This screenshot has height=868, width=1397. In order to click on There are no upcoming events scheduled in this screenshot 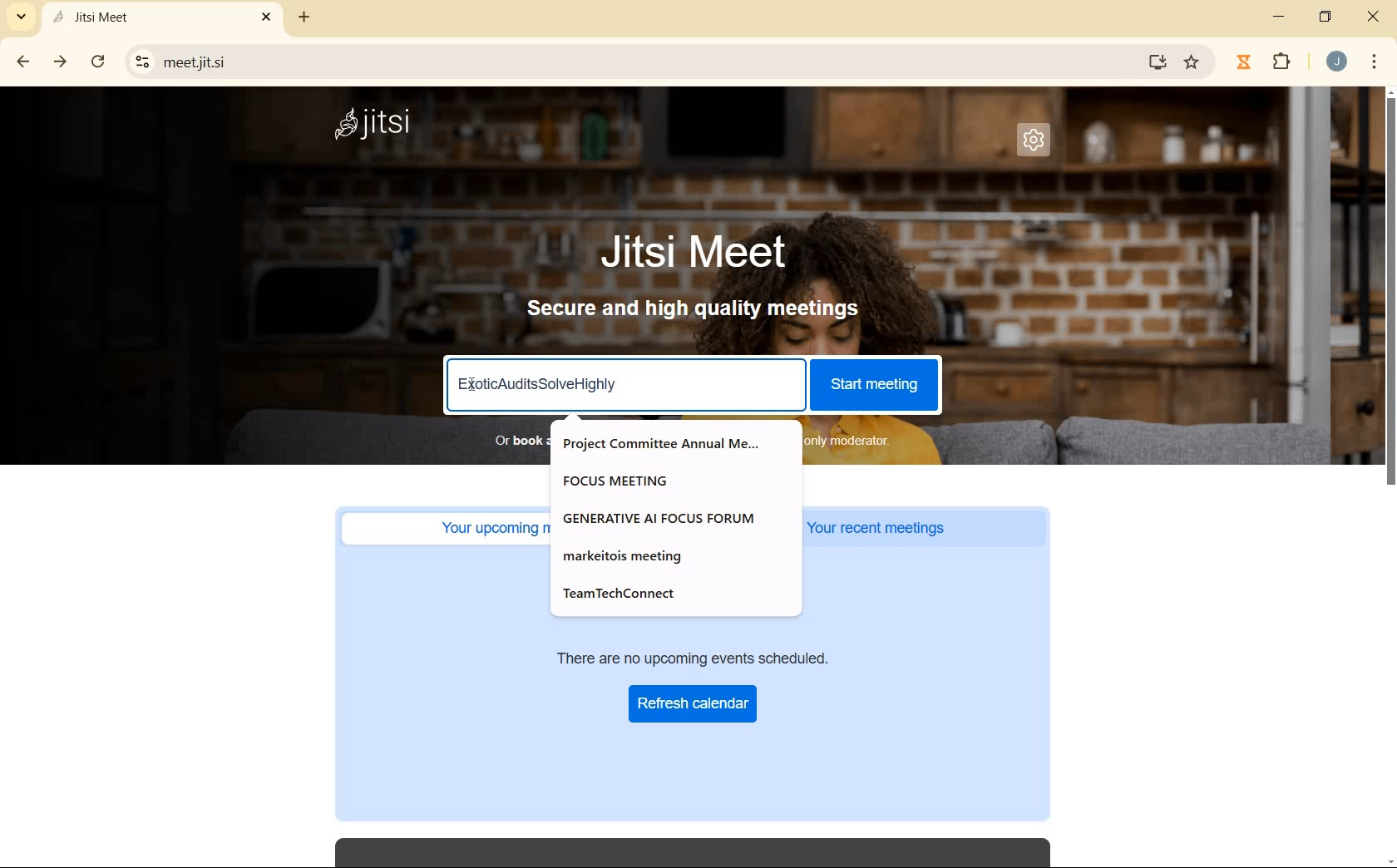, I will do `click(719, 657)`.